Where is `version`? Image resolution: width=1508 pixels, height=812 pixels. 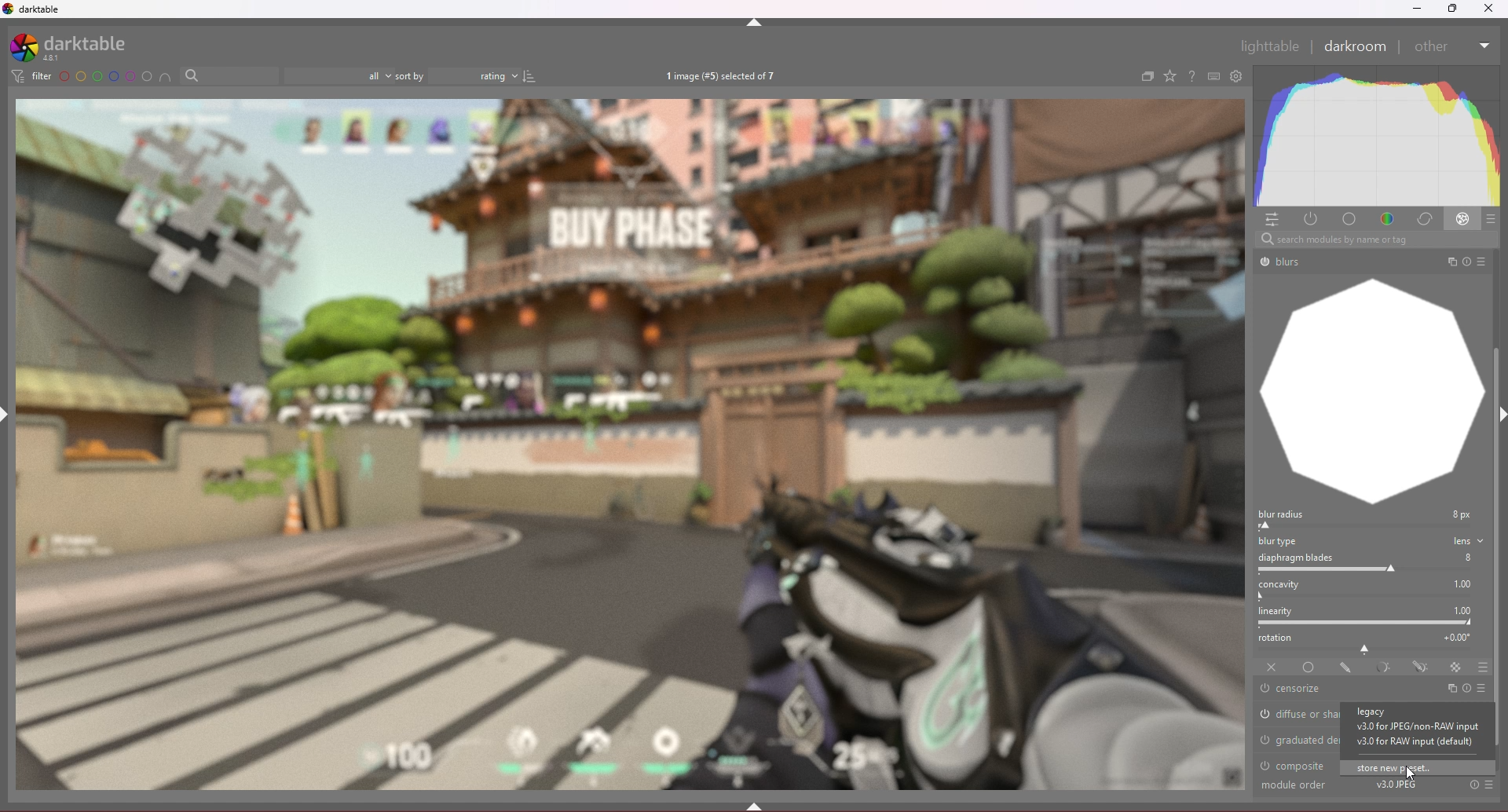 version is located at coordinates (1411, 742).